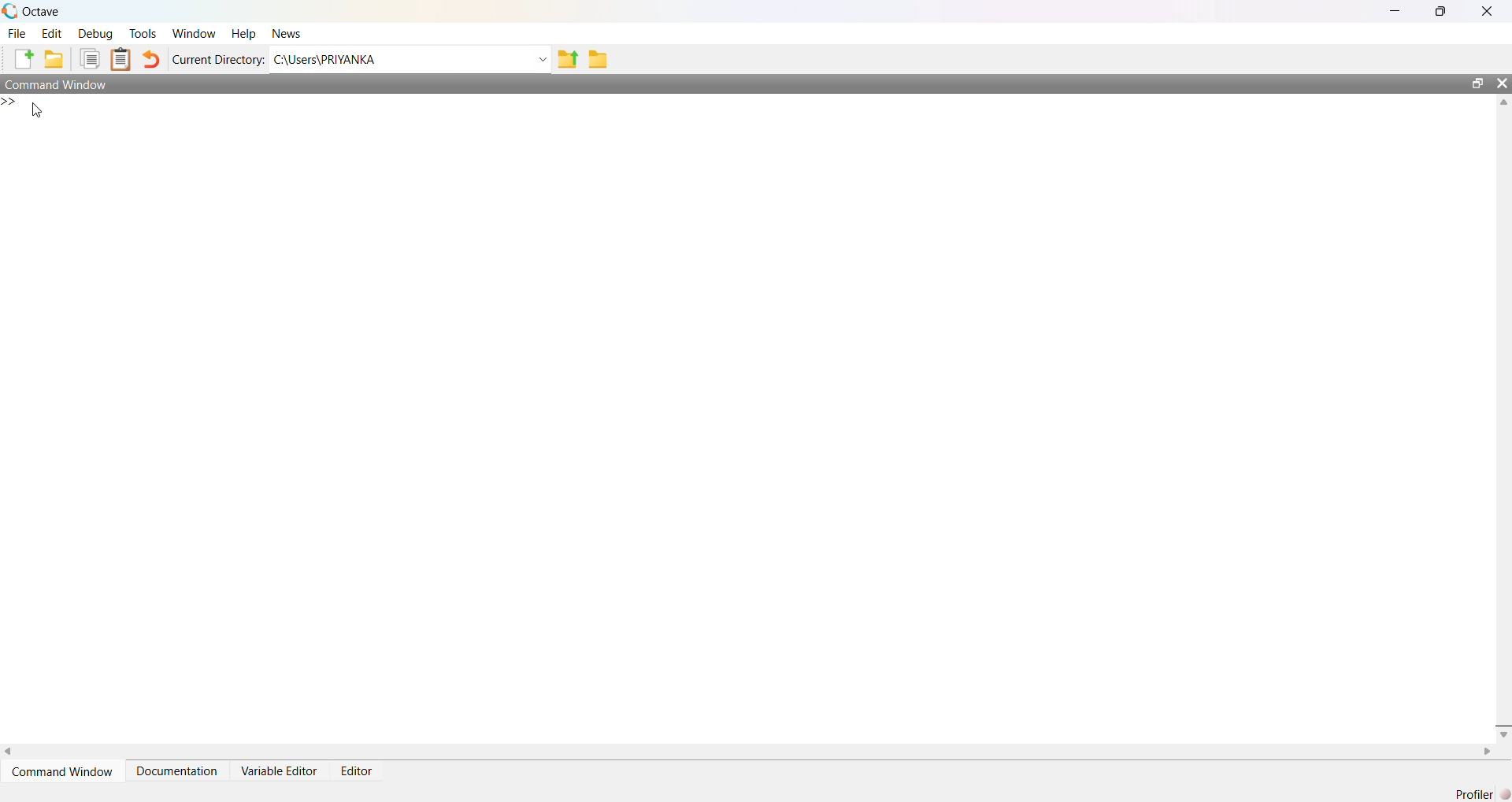  I want to click on Command Window, so click(65, 771).